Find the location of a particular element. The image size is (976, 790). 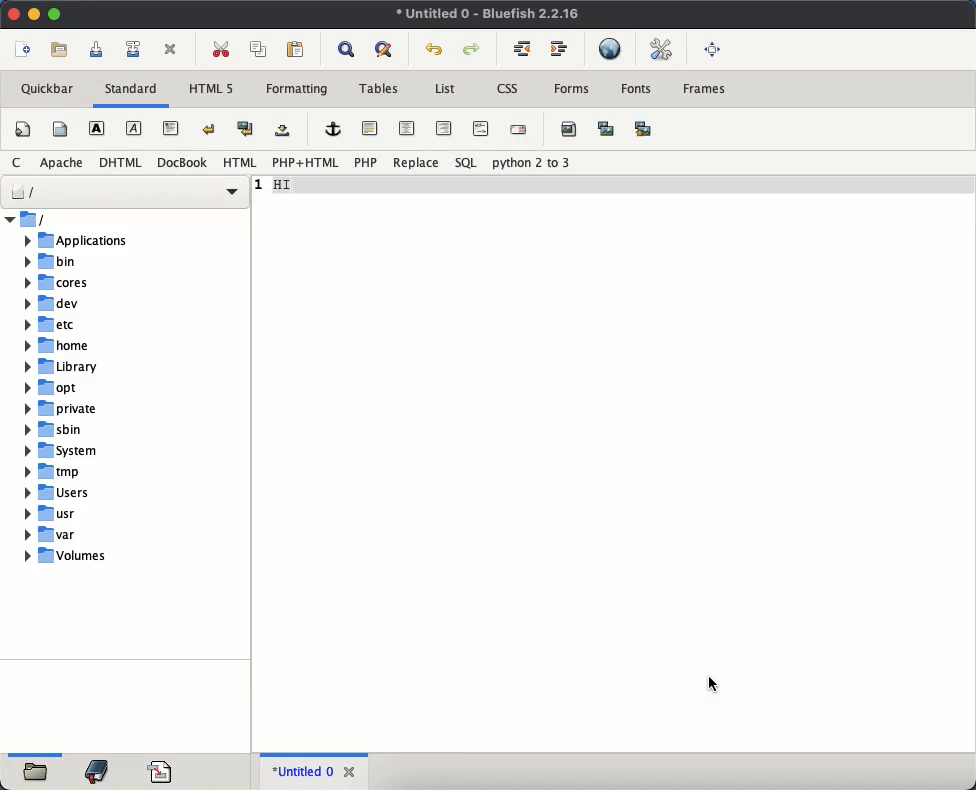

open is located at coordinates (37, 774).